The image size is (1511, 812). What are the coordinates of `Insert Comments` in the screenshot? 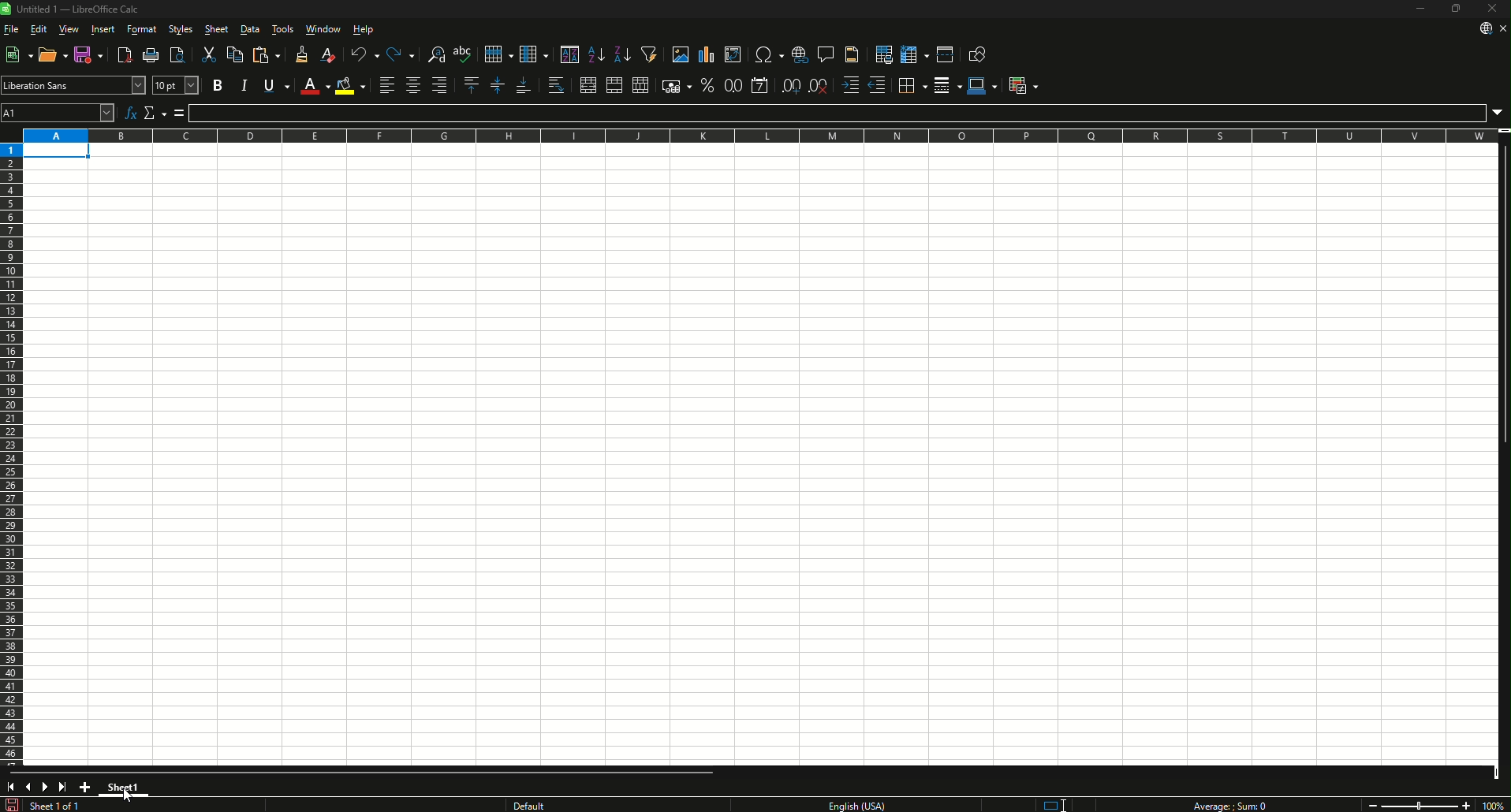 It's located at (826, 54).